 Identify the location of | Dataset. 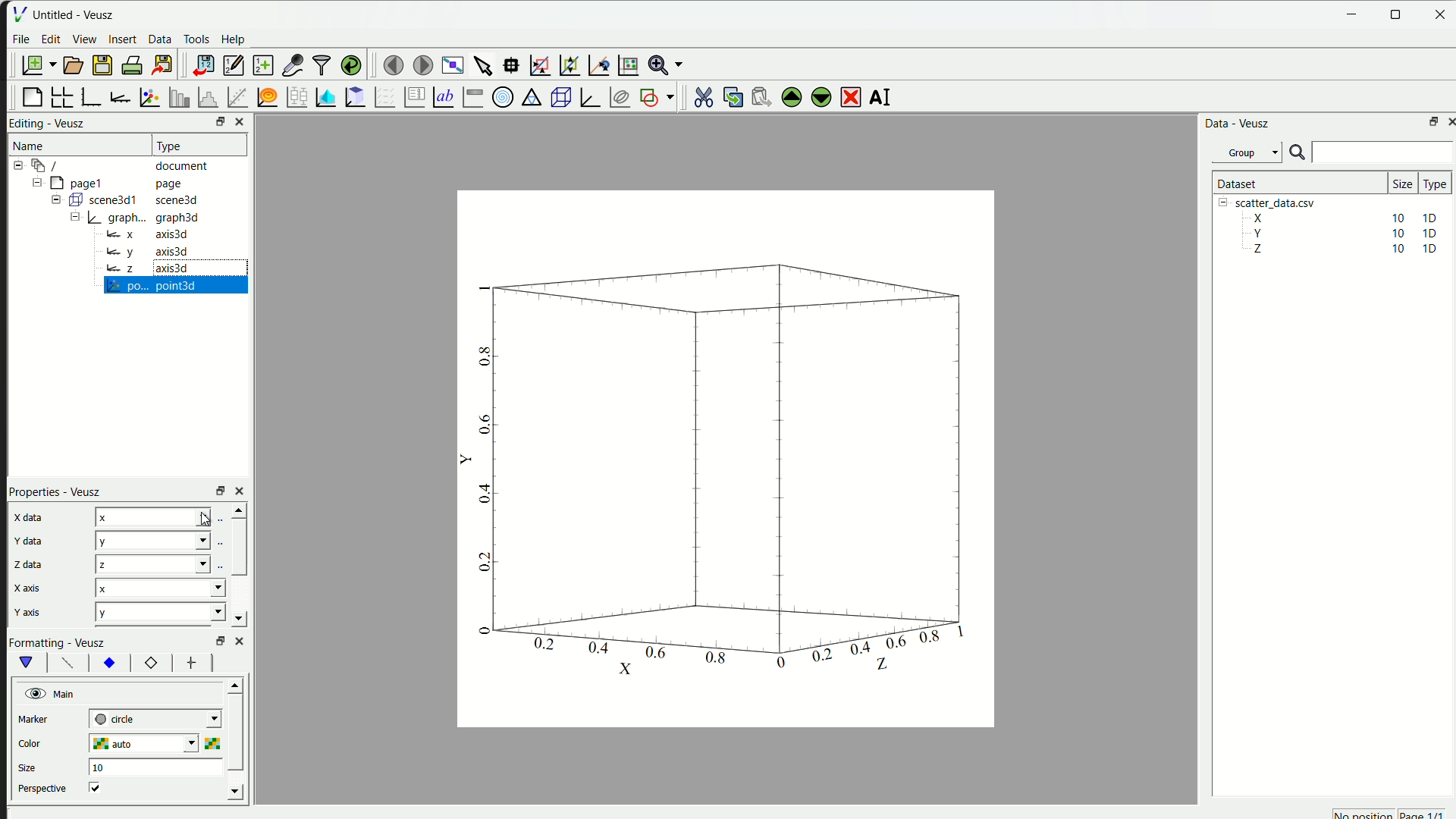
(1238, 180).